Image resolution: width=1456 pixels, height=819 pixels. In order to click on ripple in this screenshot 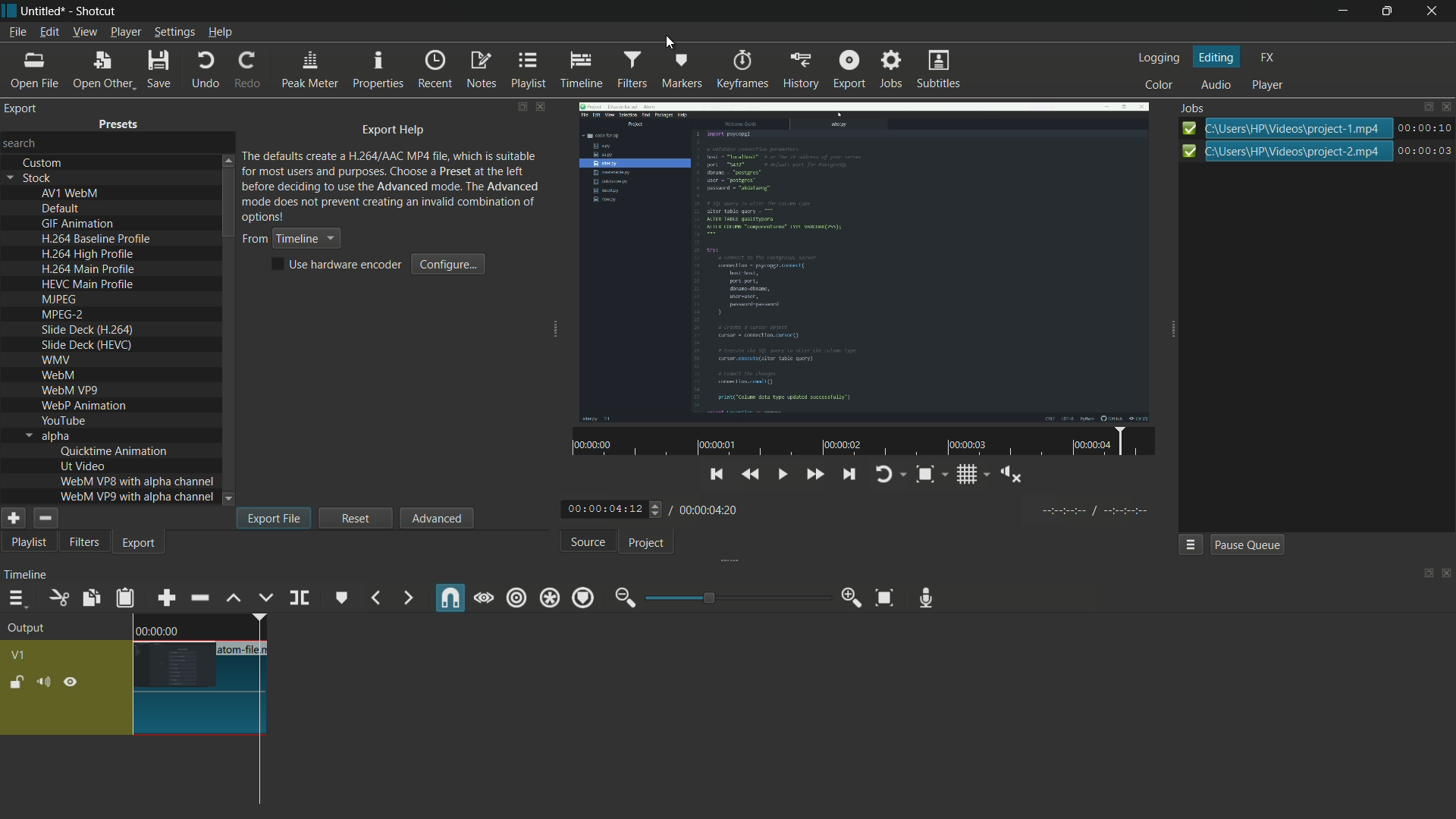, I will do `click(516, 598)`.